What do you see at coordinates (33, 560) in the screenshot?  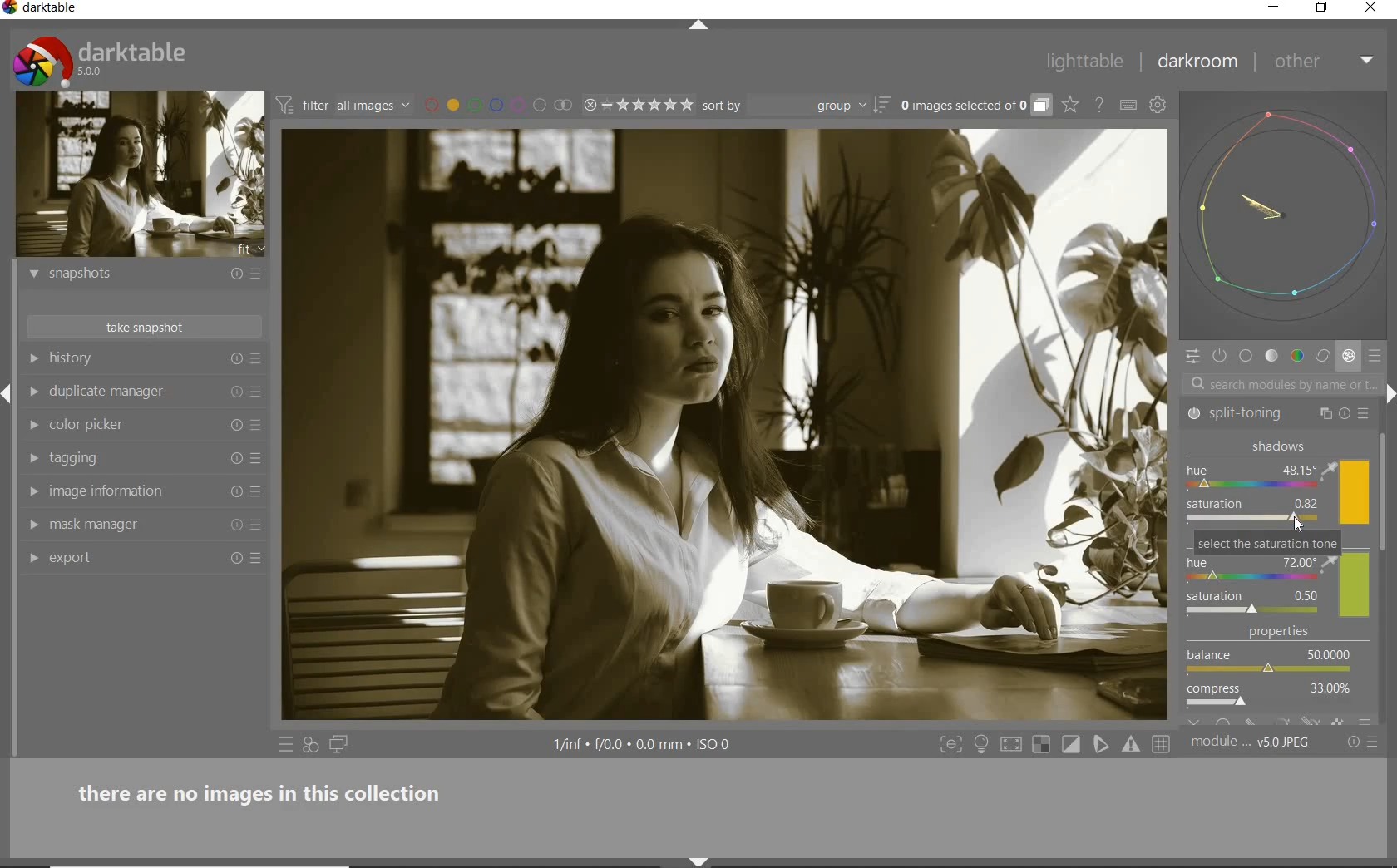 I see `show module` at bounding box center [33, 560].